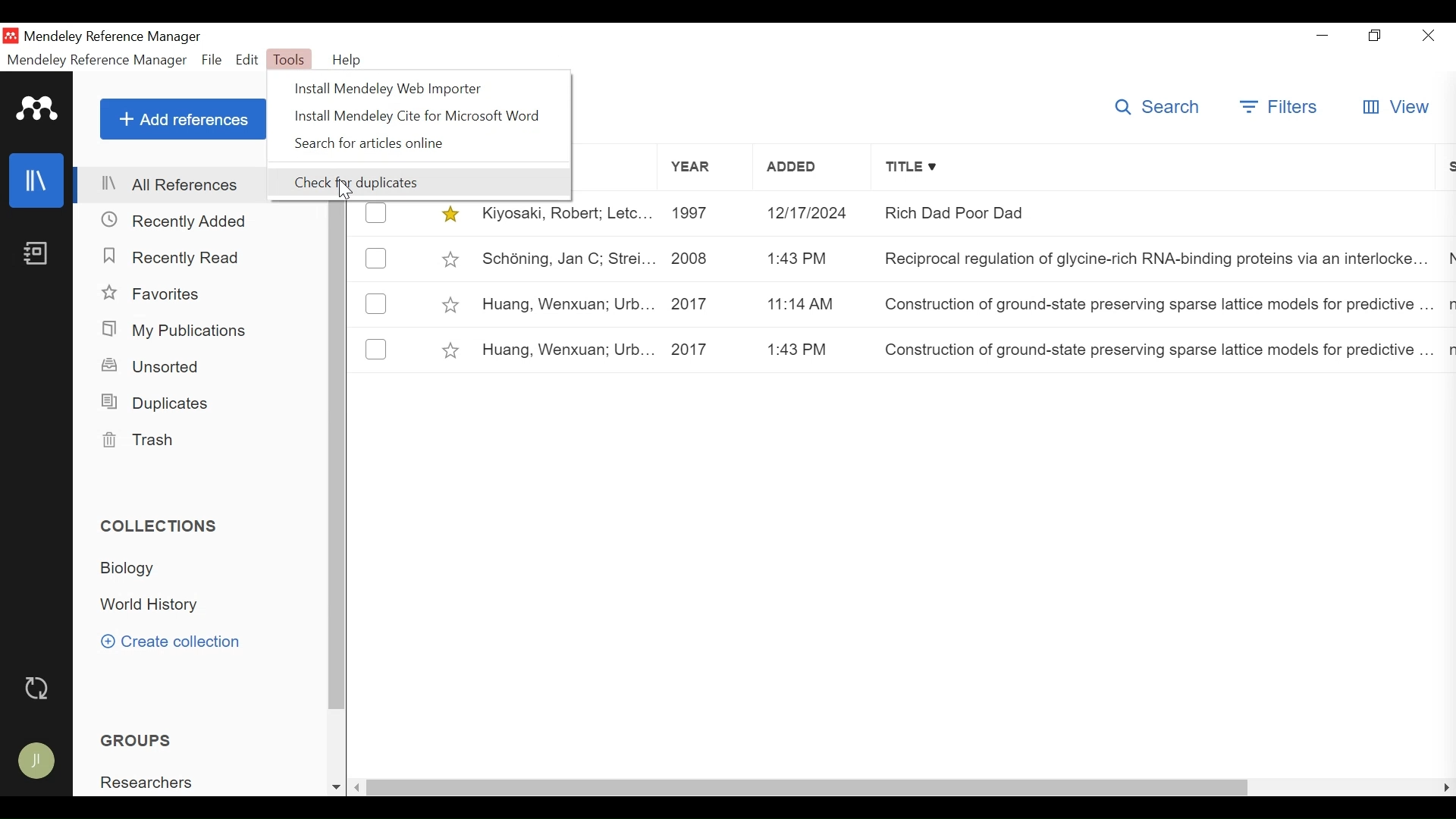 The image size is (1456, 819). Describe the element at coordinates (36, 253) in the screenshot. I see `Notebook` at that location.